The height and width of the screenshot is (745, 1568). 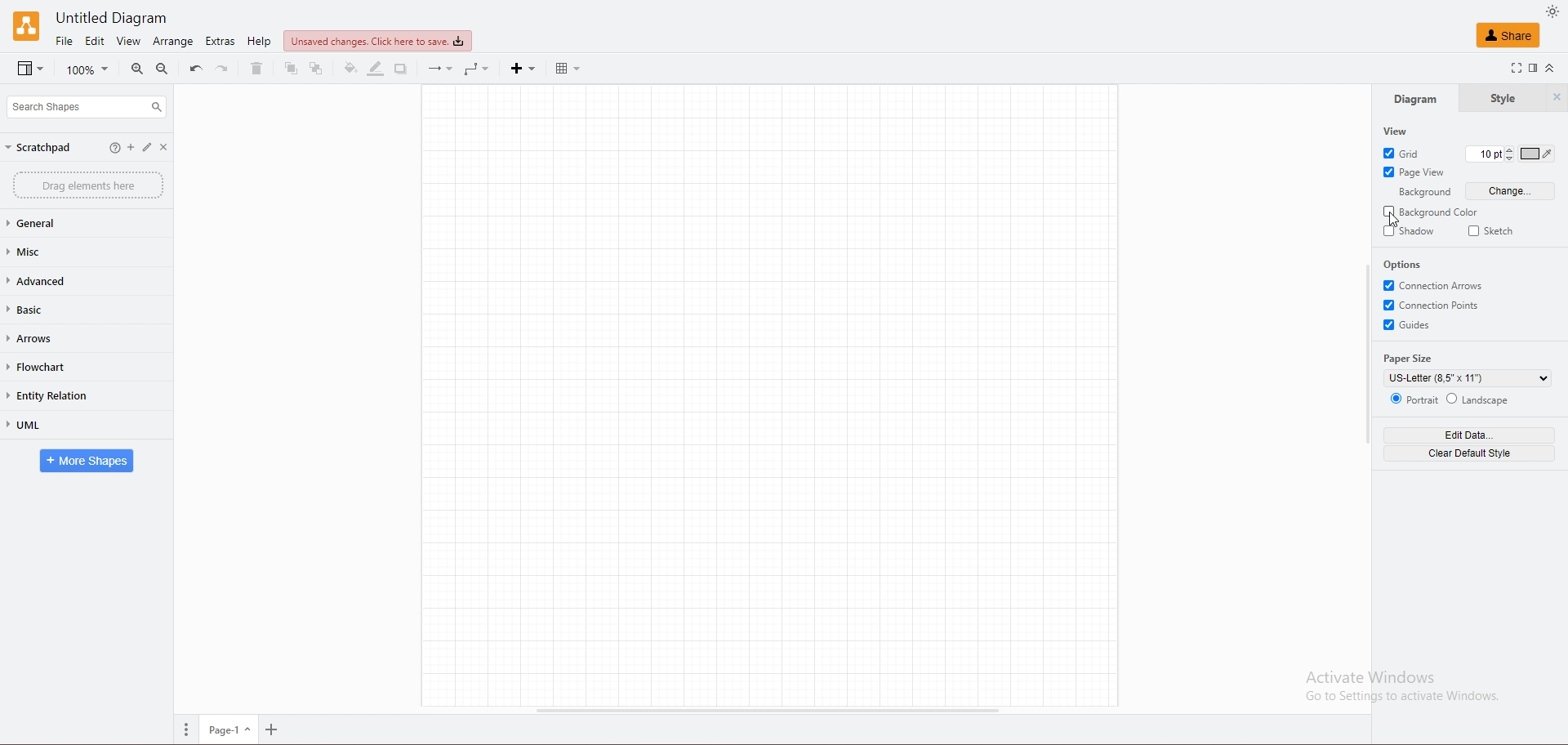 I want to click on waypoint, so click(x=479, y=69).